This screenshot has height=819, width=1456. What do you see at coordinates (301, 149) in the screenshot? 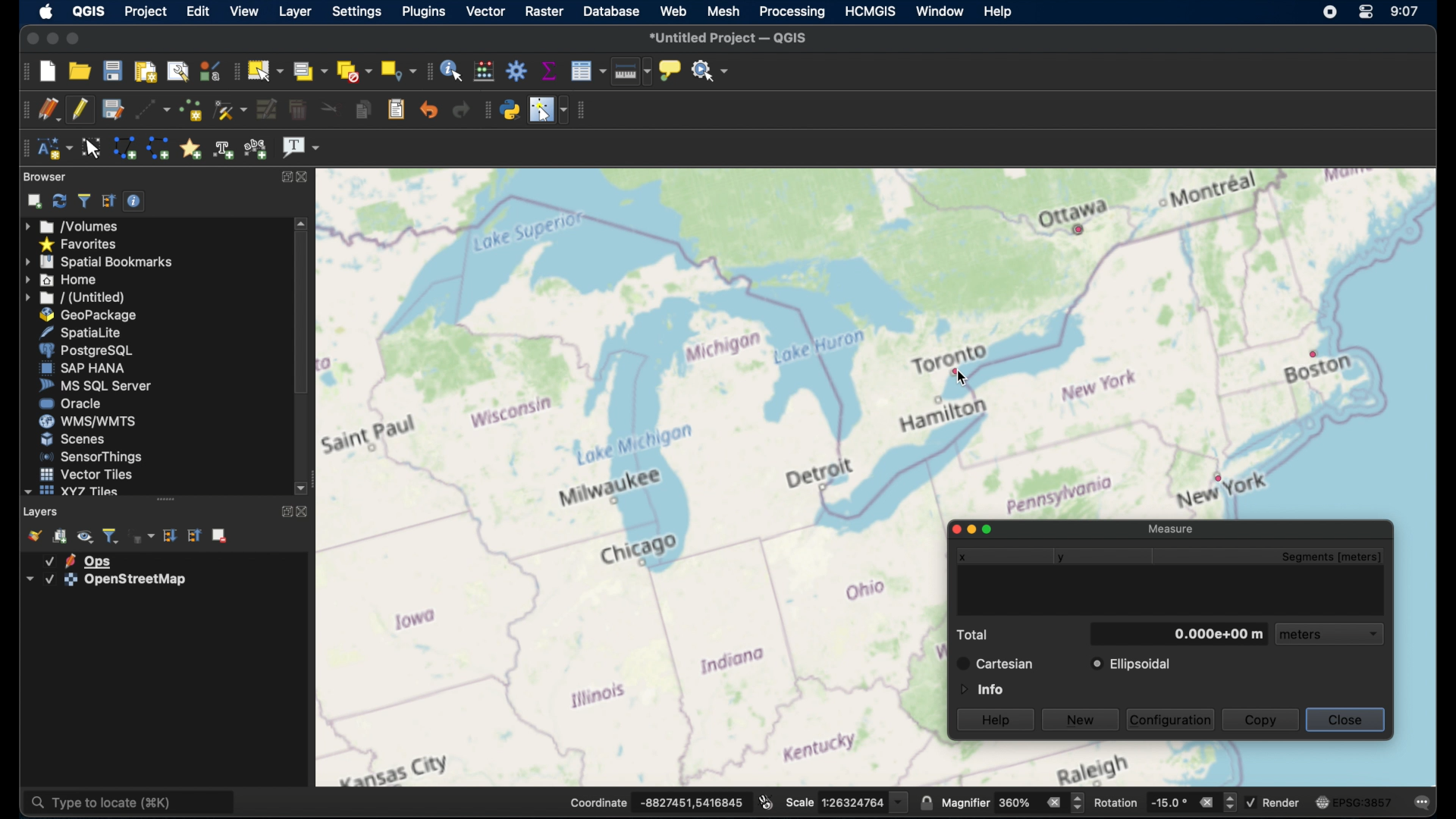
I see `text annotation` at bounding box center [301, 149].